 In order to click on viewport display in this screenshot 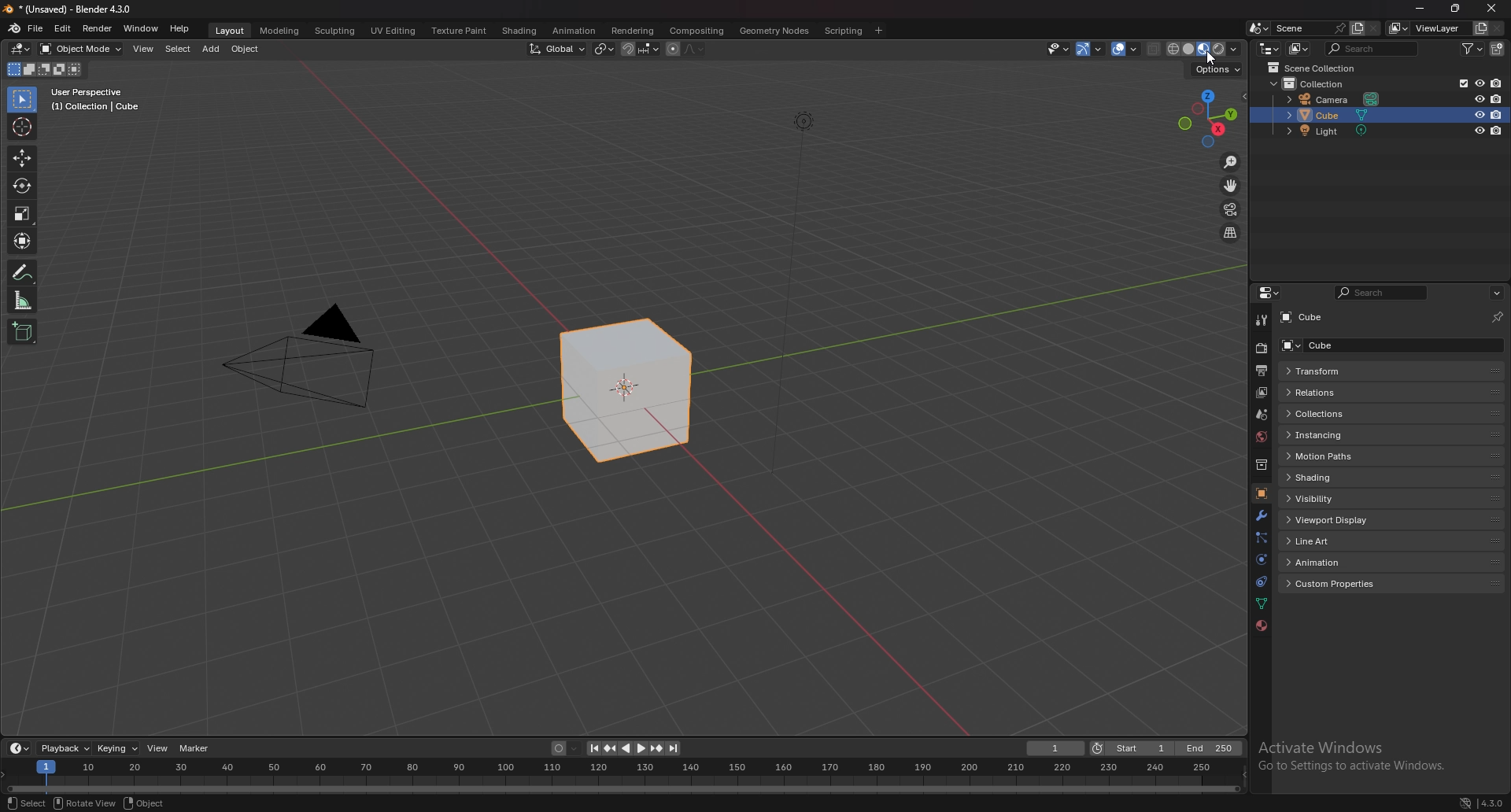, I will do `click(1349, 519)`.